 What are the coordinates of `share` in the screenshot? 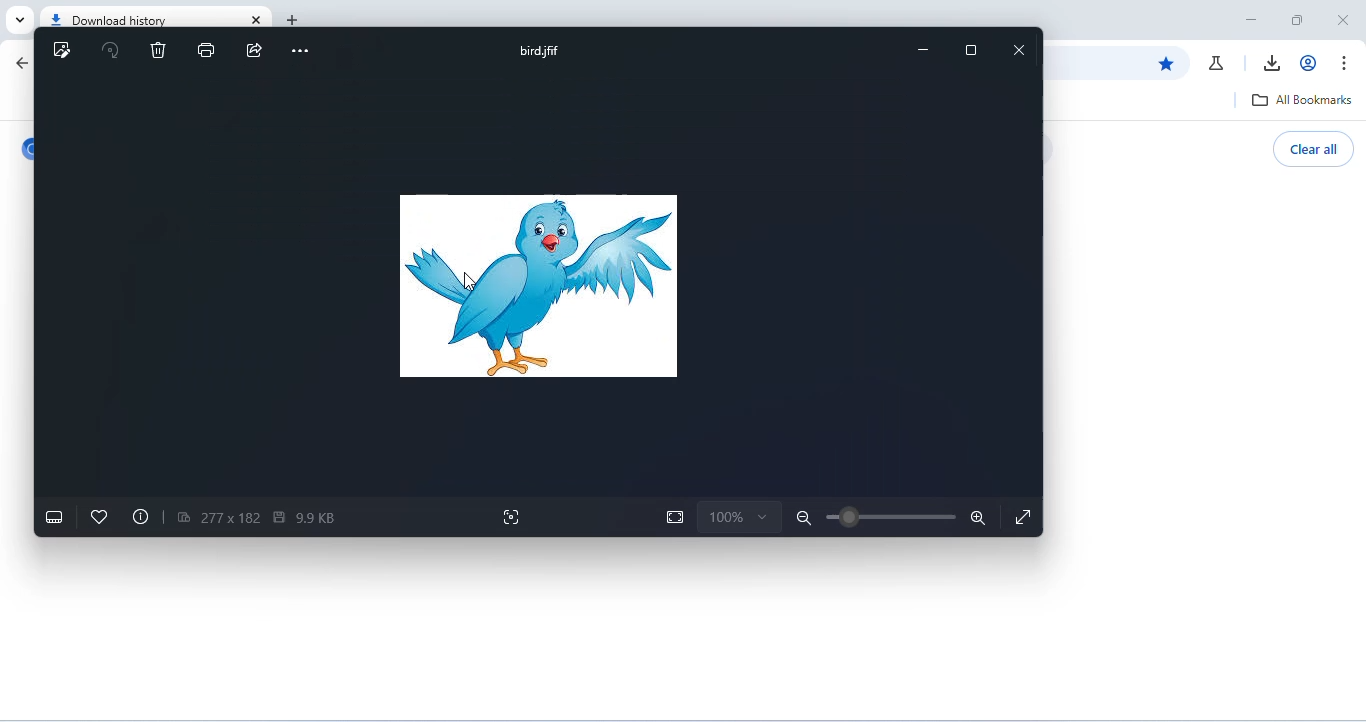 It's located at (258, 52).